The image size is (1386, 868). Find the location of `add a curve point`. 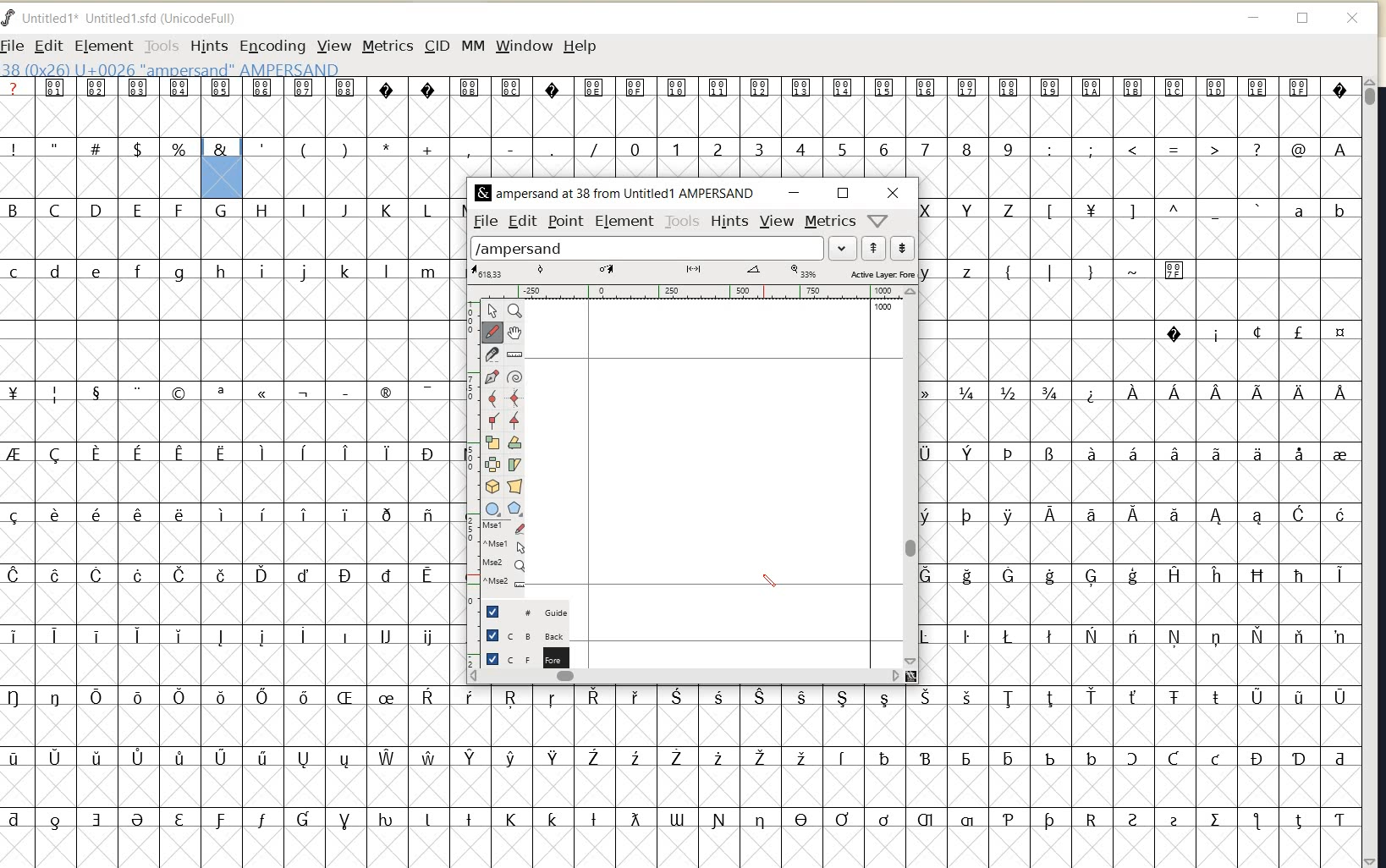

add a curve point is located at coordinates (492, 397).